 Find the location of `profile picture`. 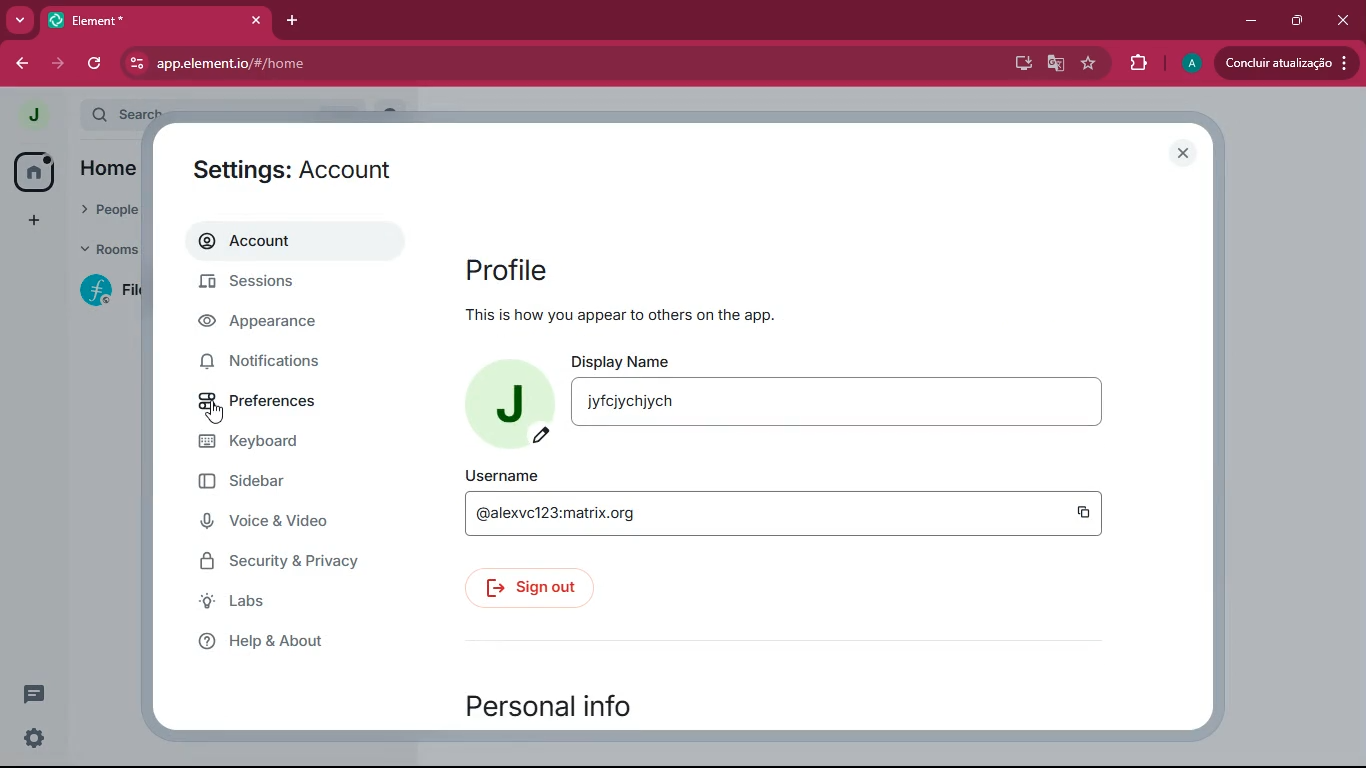

profile picture is located at coordinates (1195, 61).